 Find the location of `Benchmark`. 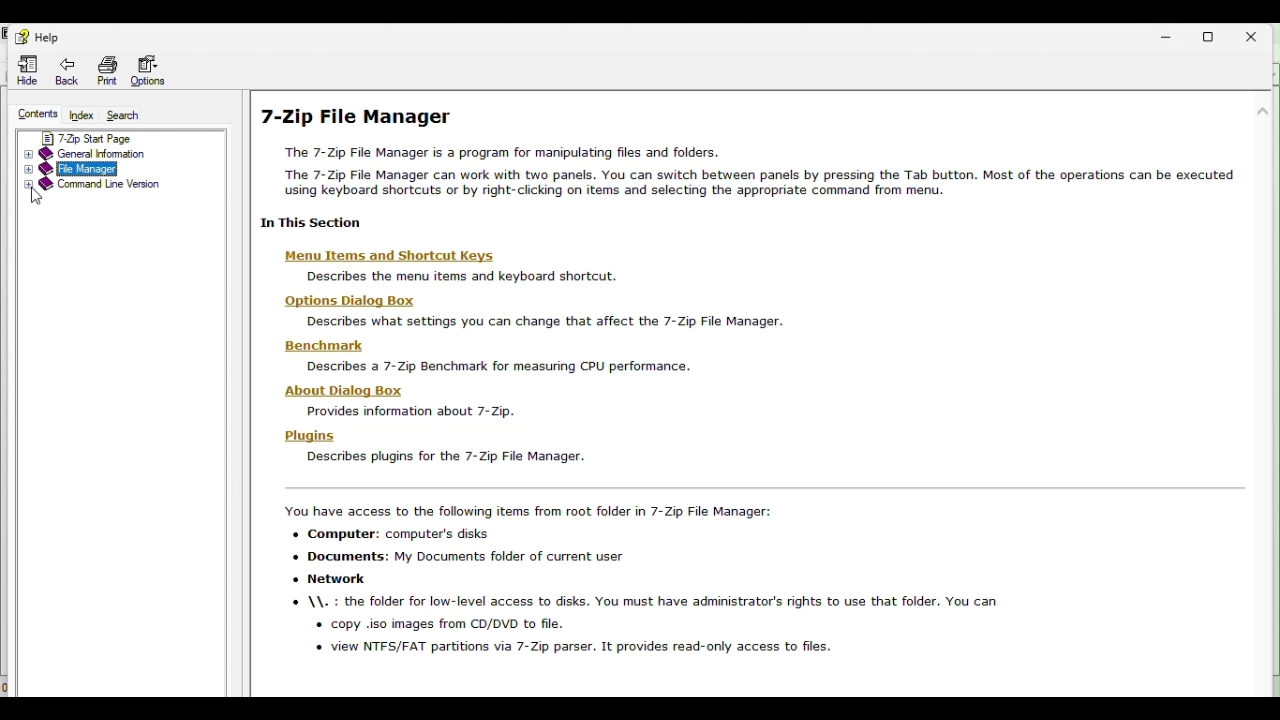

Benchmark is located at coordinates (331, 345).